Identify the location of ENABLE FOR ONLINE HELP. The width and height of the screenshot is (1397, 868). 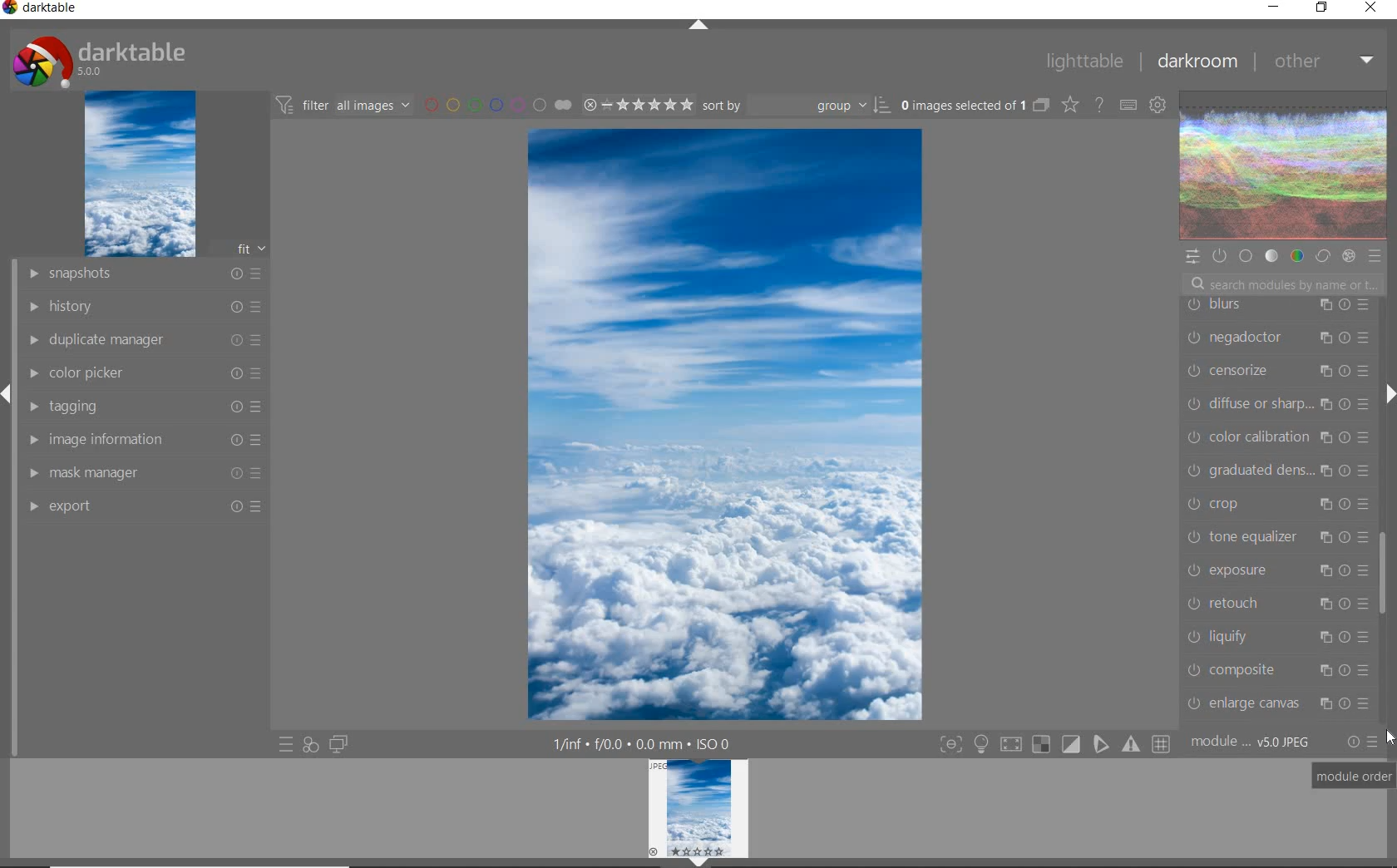
(1098, 104).